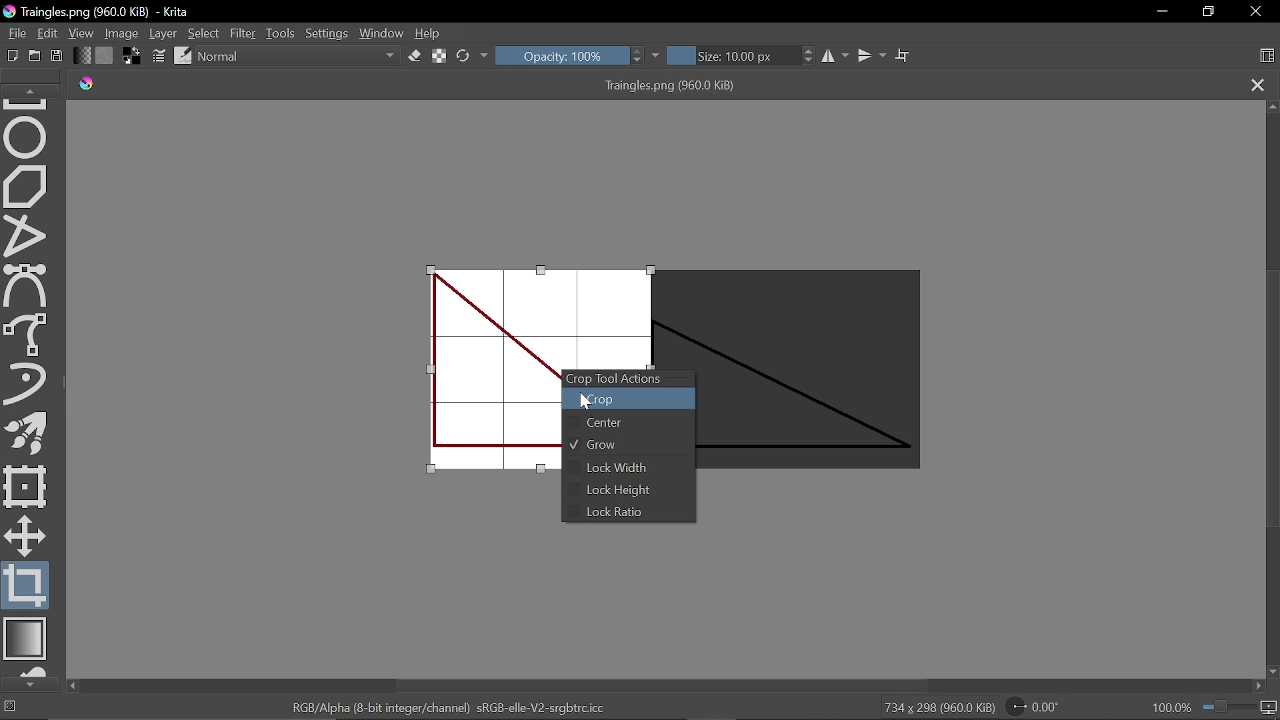 The height and width of the screenshot is (720, 1280). Describe the element at coordinates (160, 57) in the screenshot. I see `Edit brush settings` at that location.